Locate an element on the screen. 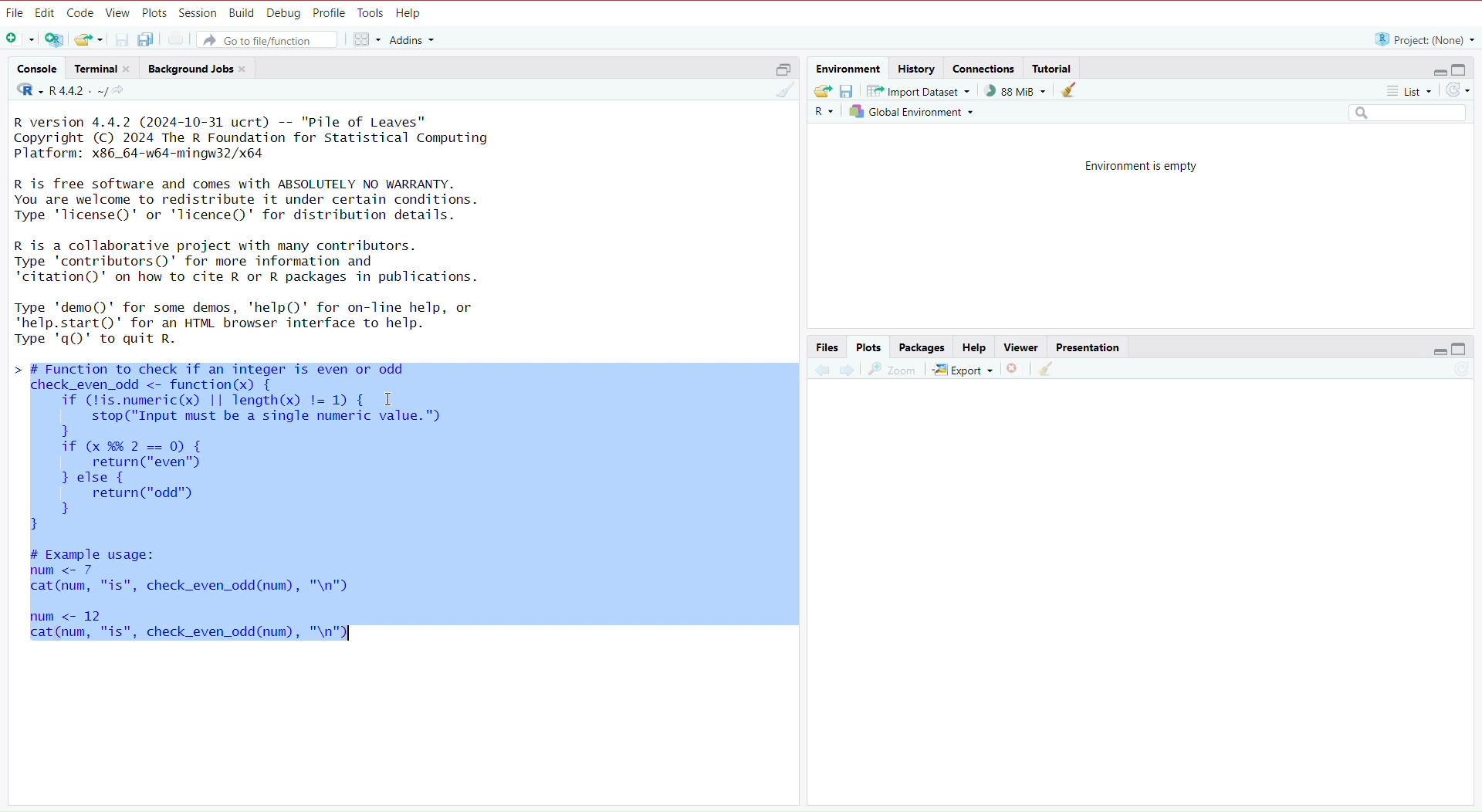 This screenshot has height=812, width=1482. clear console is located at coordinates (779, 92).